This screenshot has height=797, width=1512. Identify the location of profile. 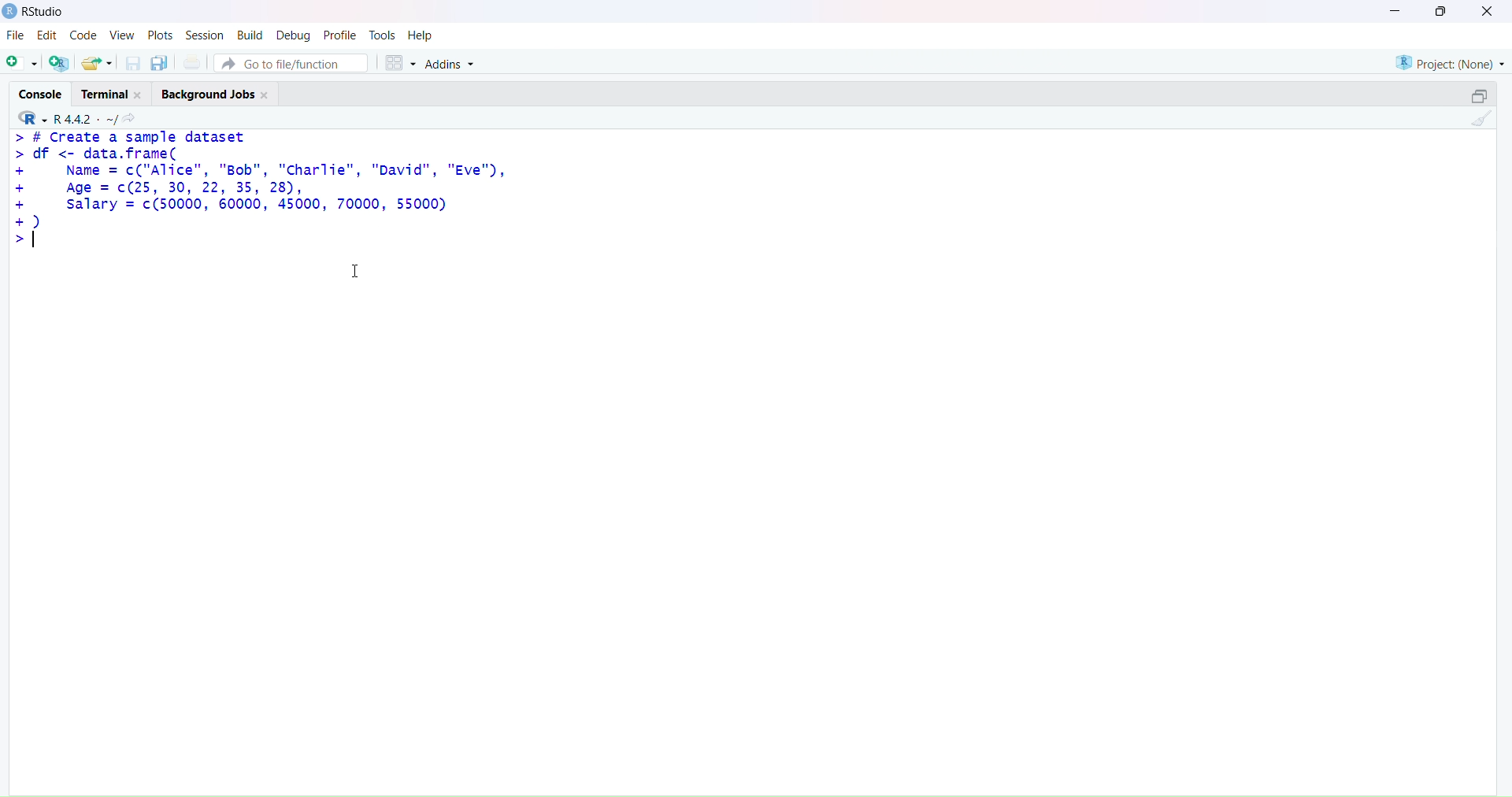
(341, 35).